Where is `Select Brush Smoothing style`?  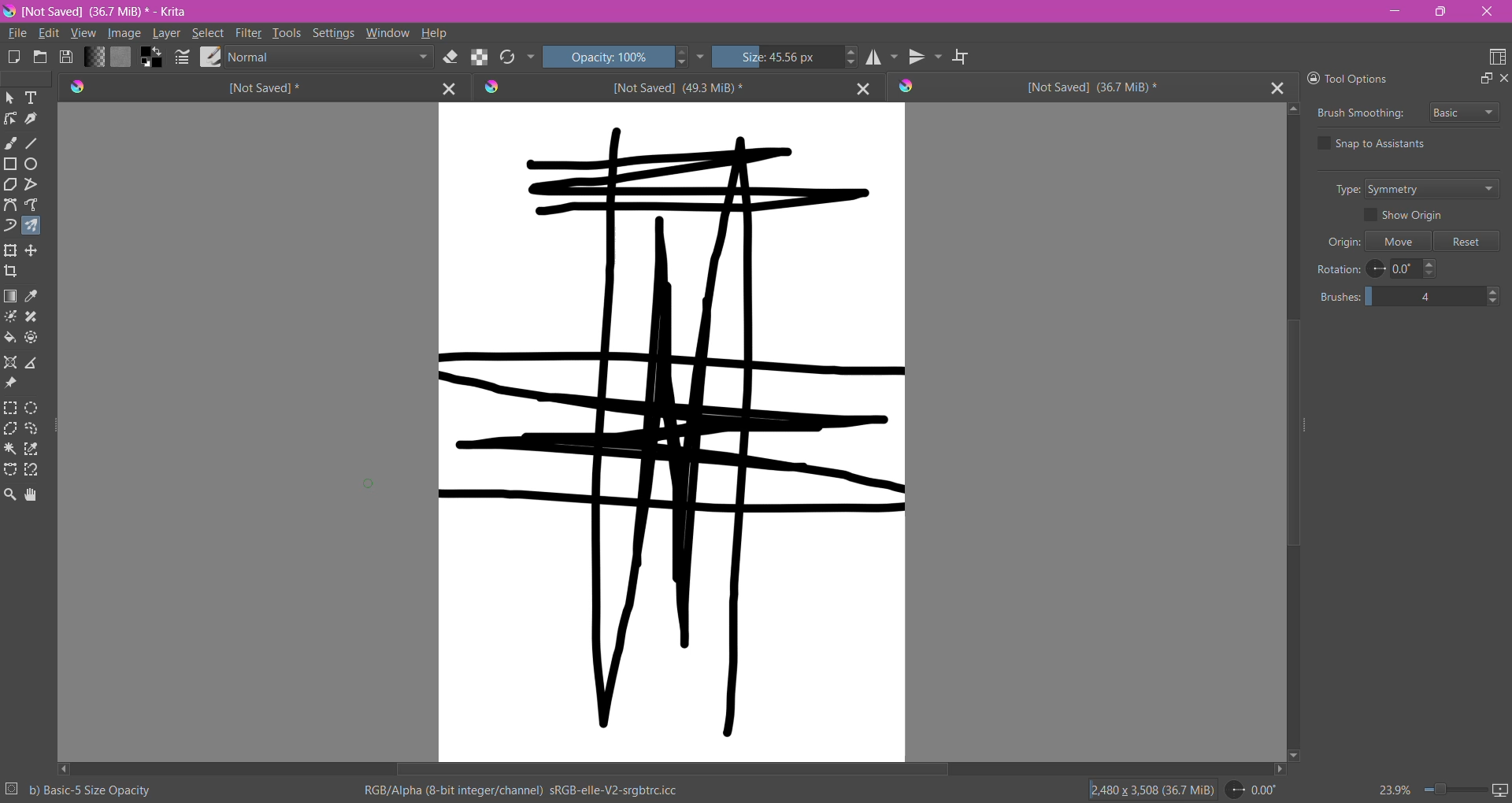
Select Brush Smoothing style is located at coordinates (1464, 111).